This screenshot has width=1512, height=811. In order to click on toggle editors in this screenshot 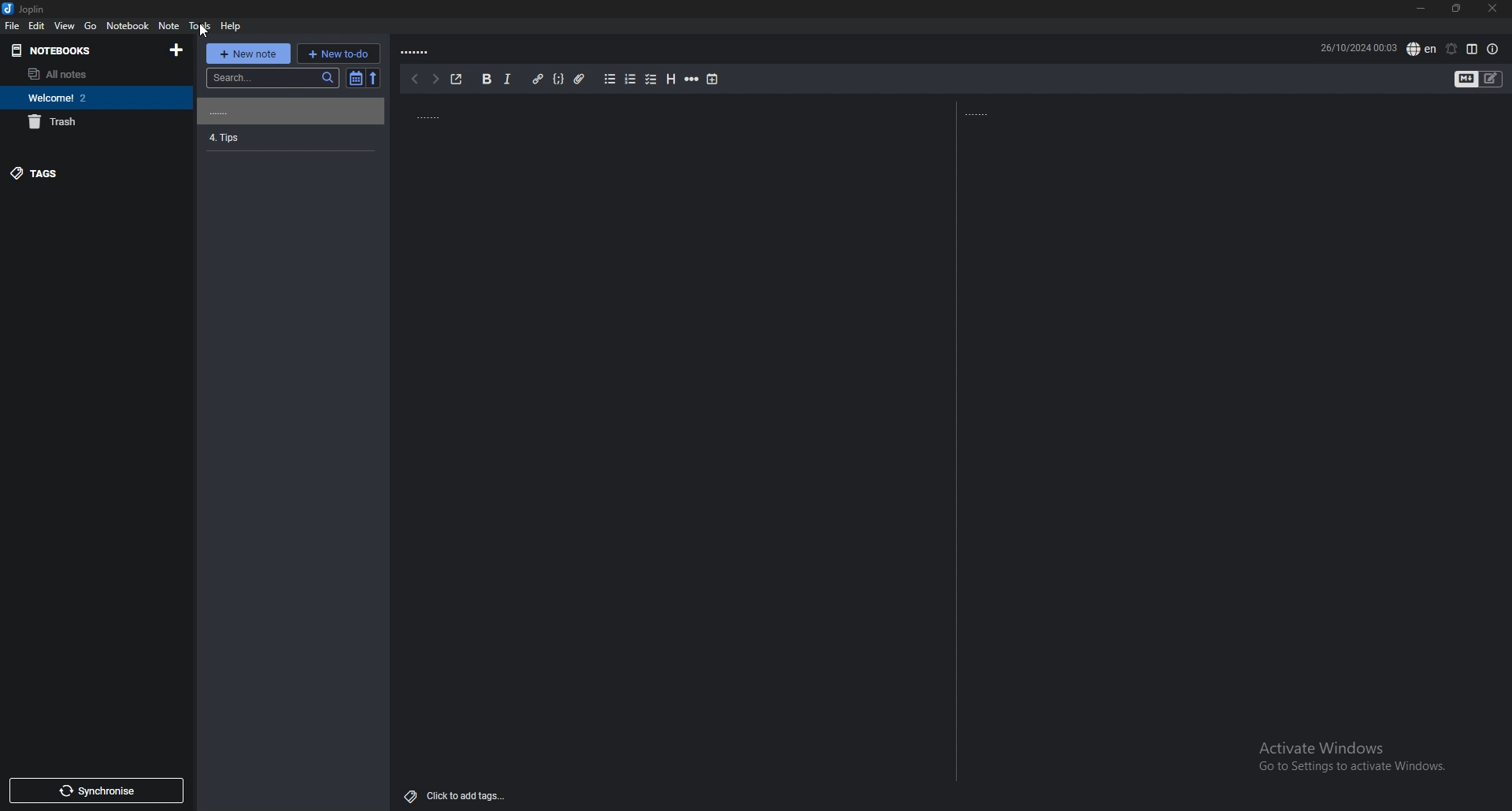, I will do `click(1491, 80)`.